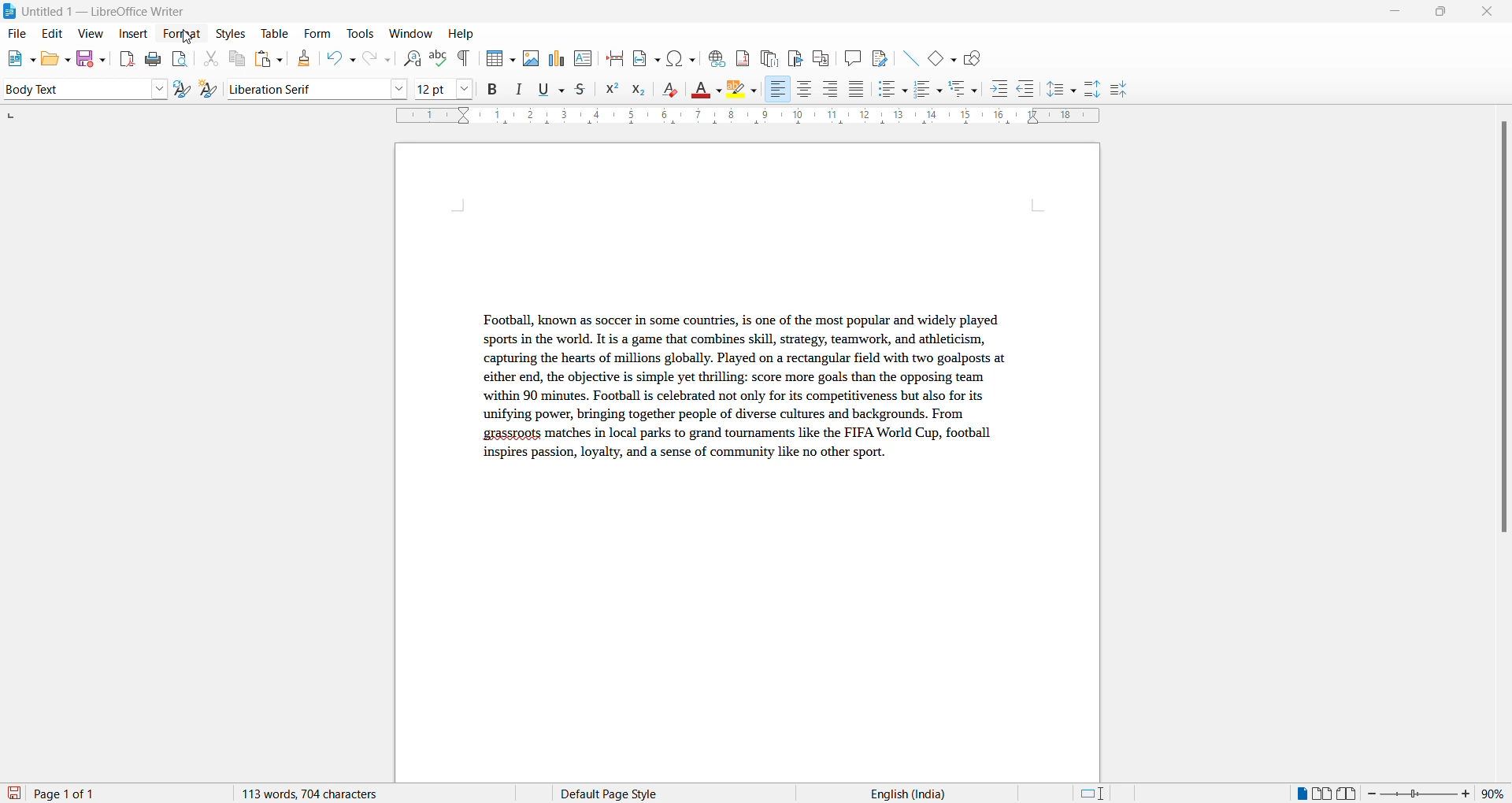 This screenshot has height=803, width=1512. I want to click on open, so click(55, 58).